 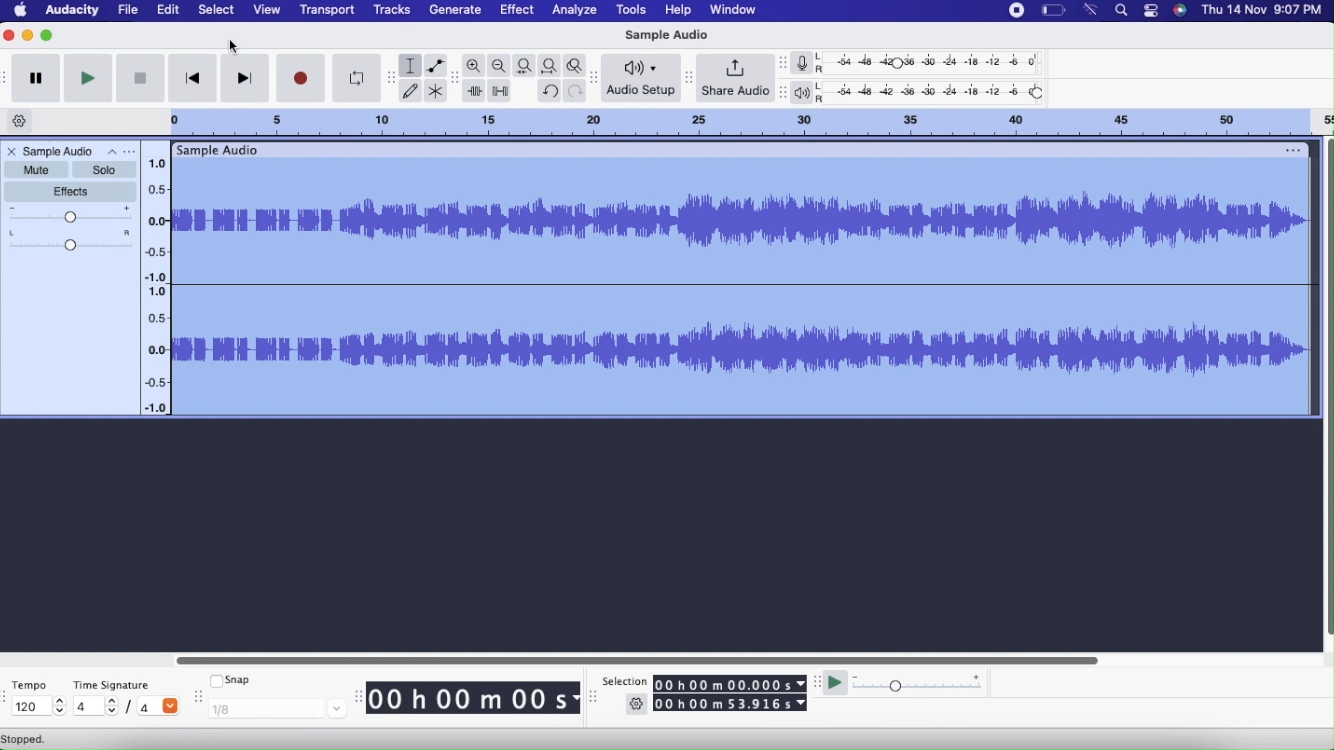 What do you see at coordinates (37, 79) in the screenshot?
I see `Pause` at bounding box center [37, 79].